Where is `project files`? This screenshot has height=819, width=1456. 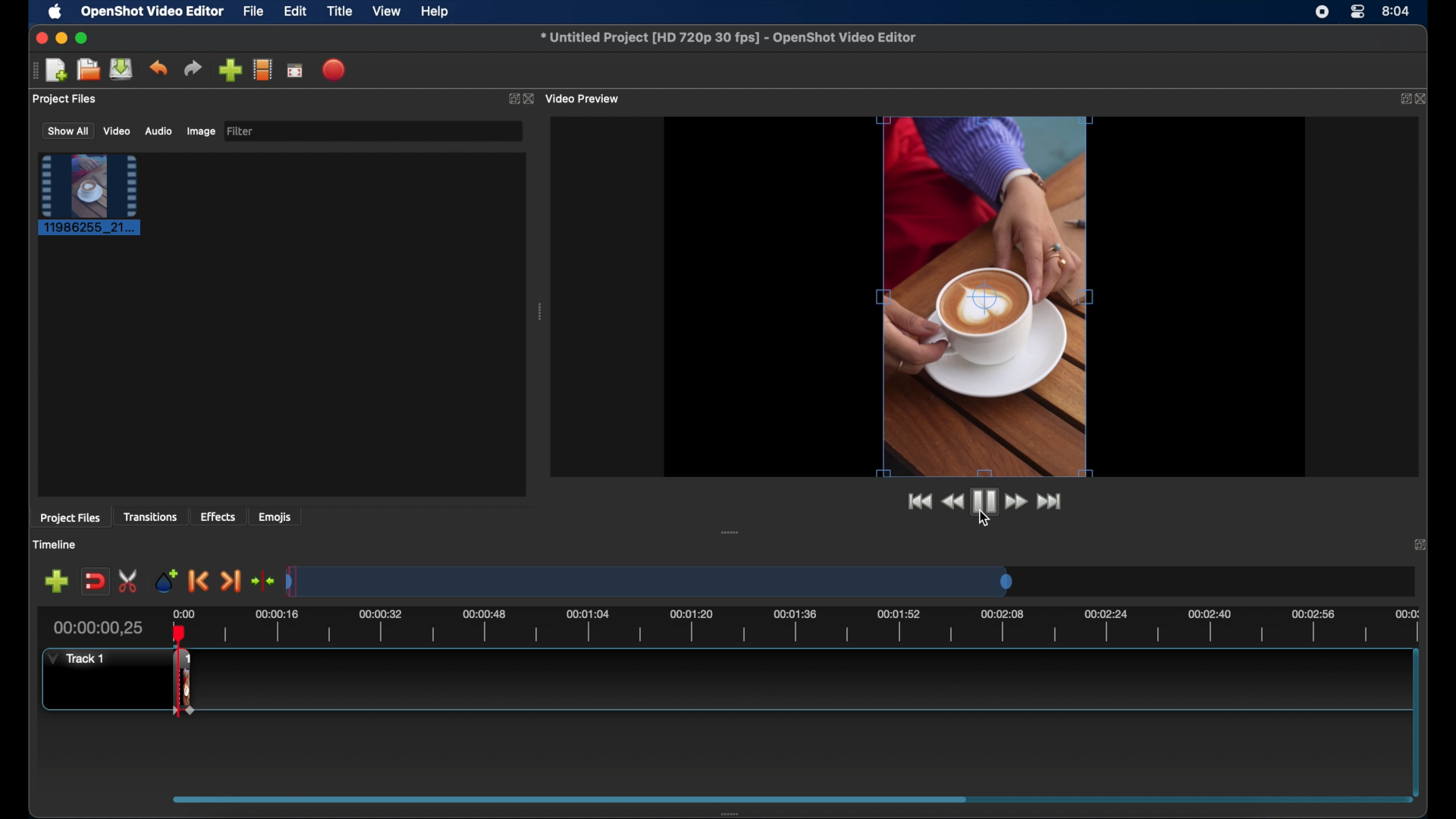 project files is located at coordinates (71, 519).